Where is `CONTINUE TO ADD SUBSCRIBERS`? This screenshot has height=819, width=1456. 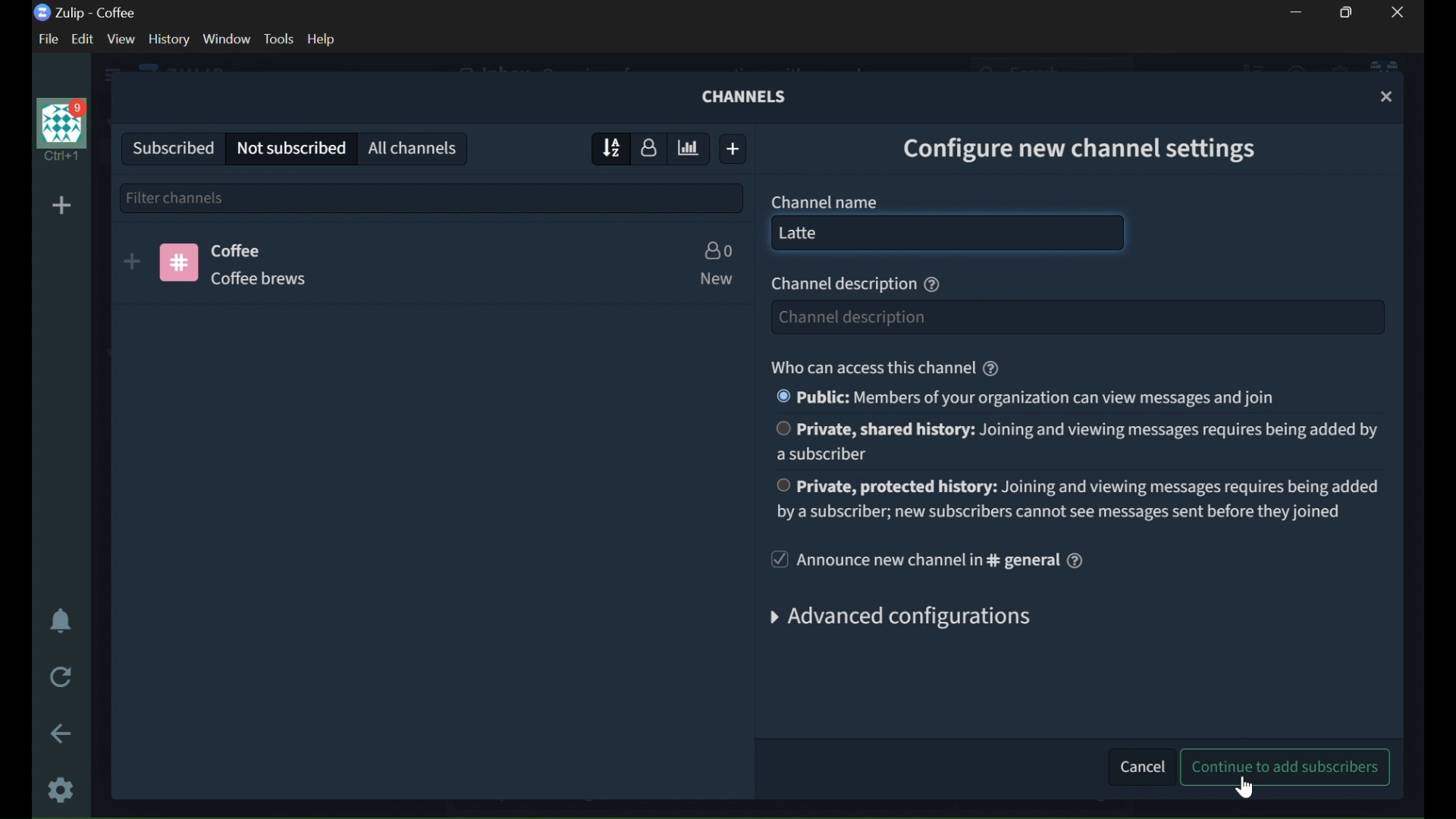
CONTINUE TO ADD SUBSCRIBERS is located at coordinates (1288, 767).